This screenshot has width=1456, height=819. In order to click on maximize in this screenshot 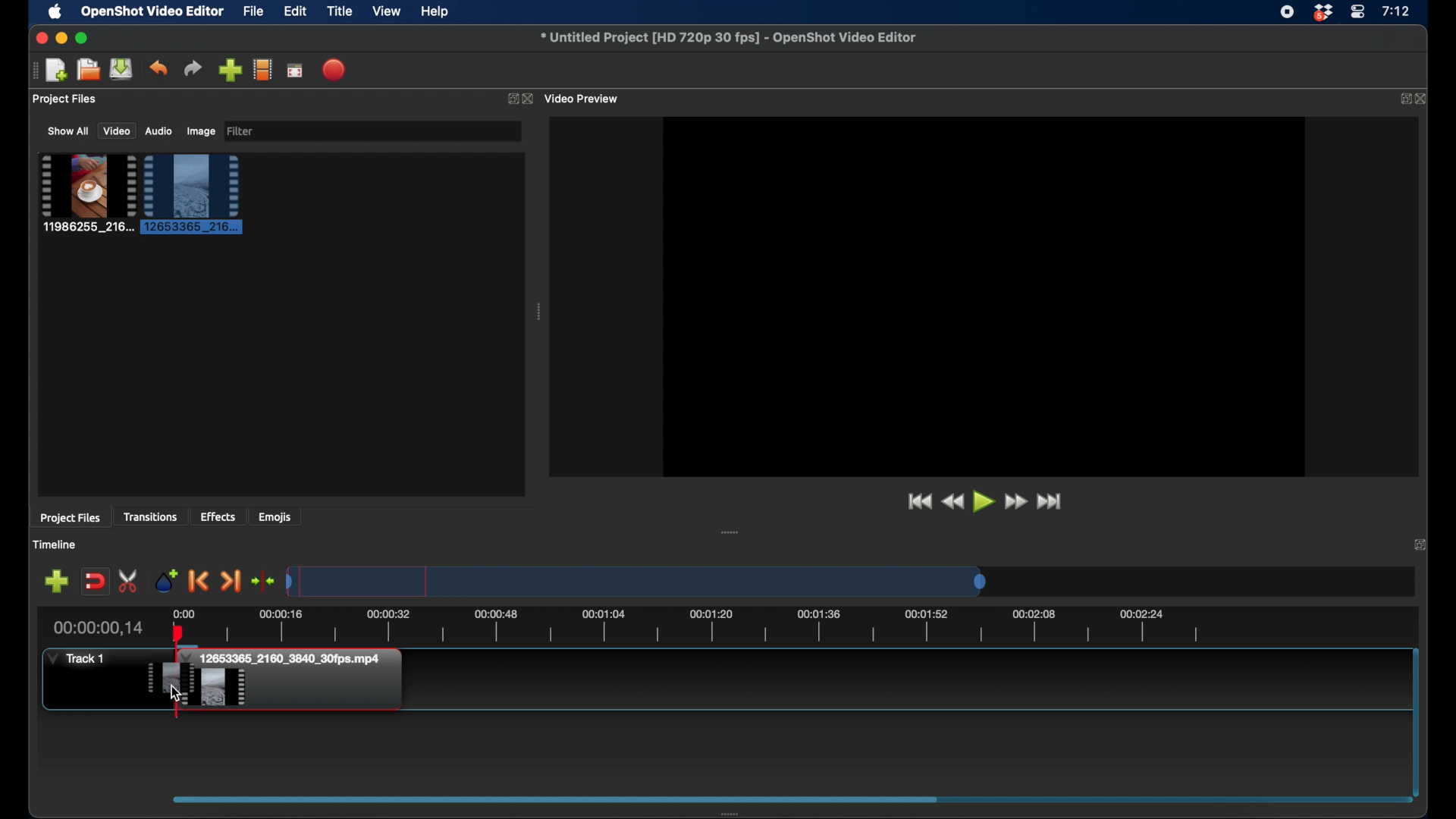, I will do `click(83, 39)`.